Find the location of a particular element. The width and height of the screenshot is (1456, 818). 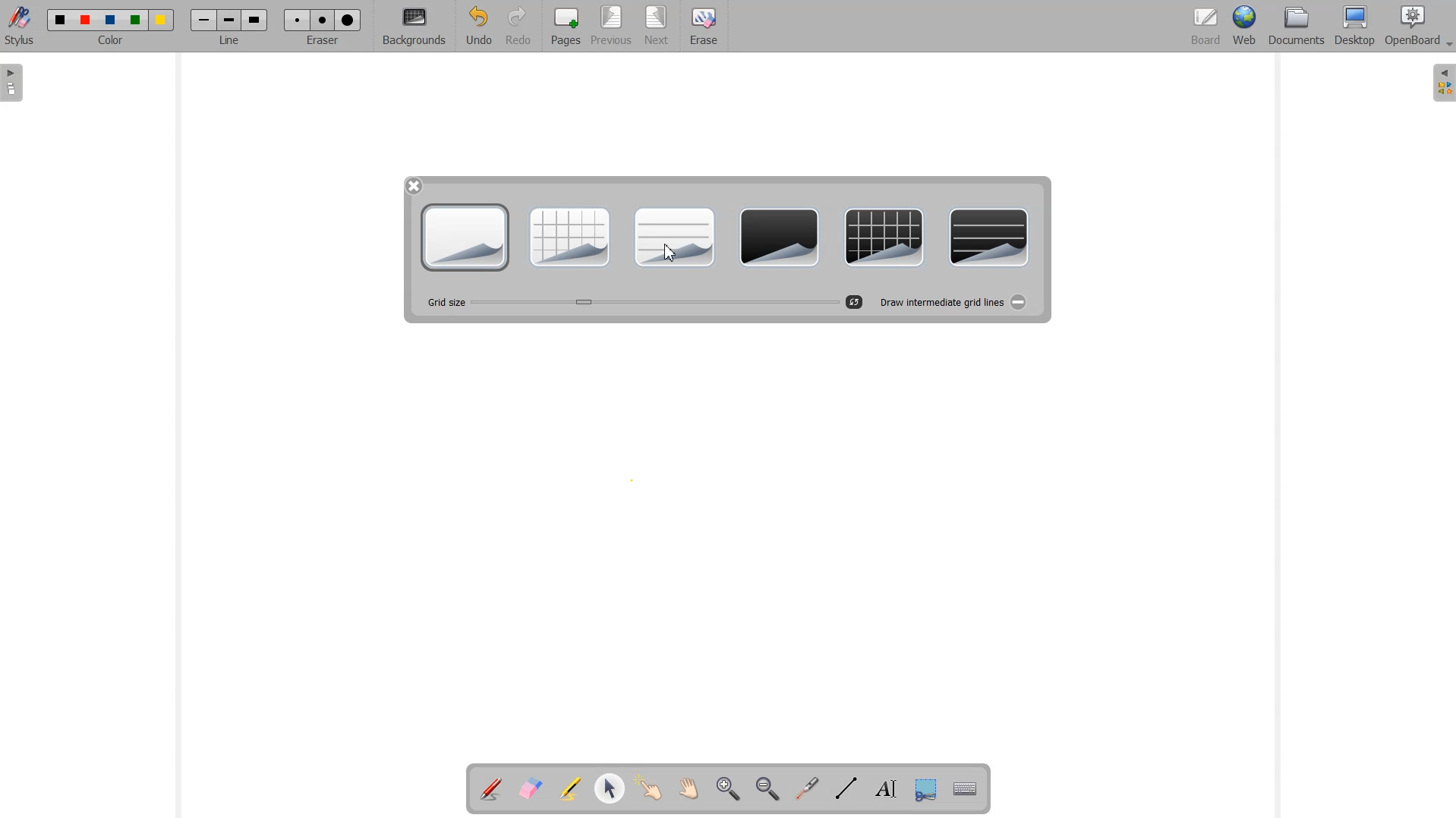

Line is located at coordinates (231, 26).